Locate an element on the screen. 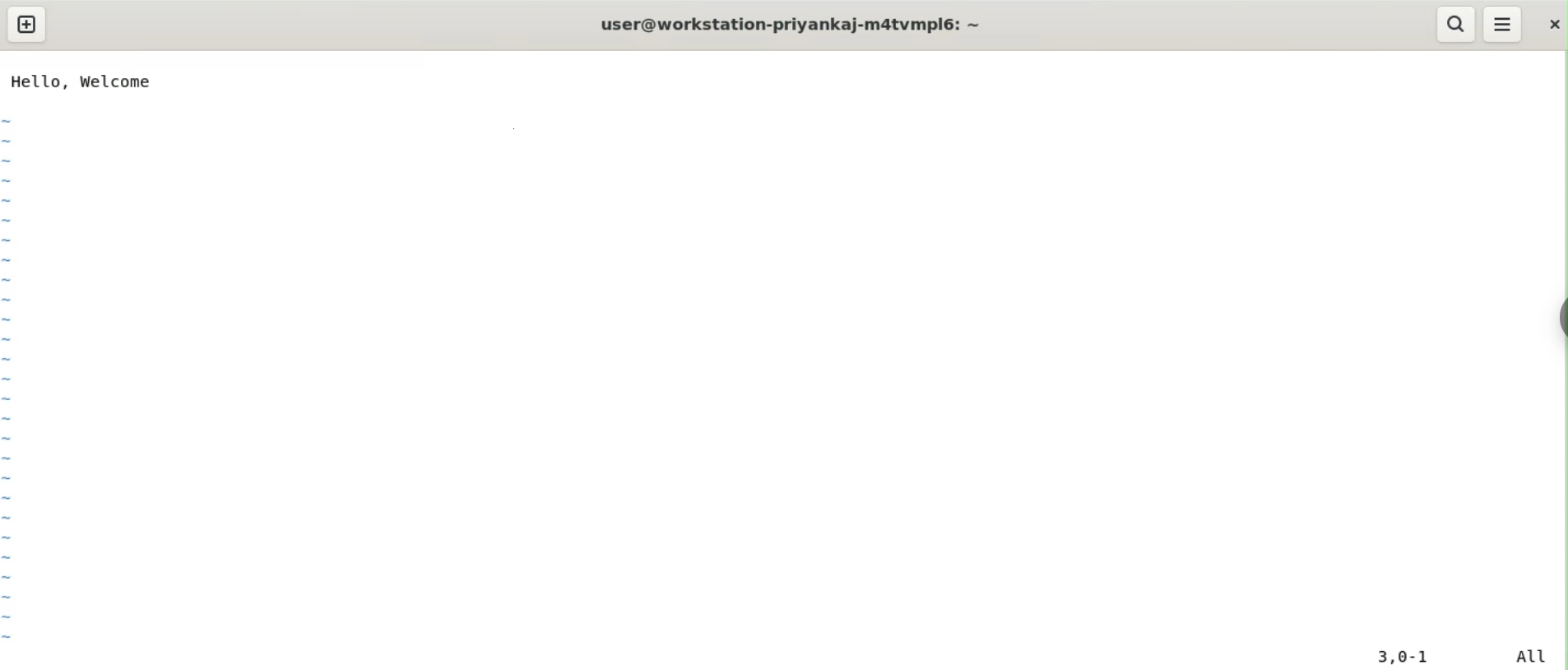 Image resolution: width=1568 pixels, height=670 pixels. user@workstation-priyankaj-m4tvmplé: ~ is located at coordinates (795, 26).